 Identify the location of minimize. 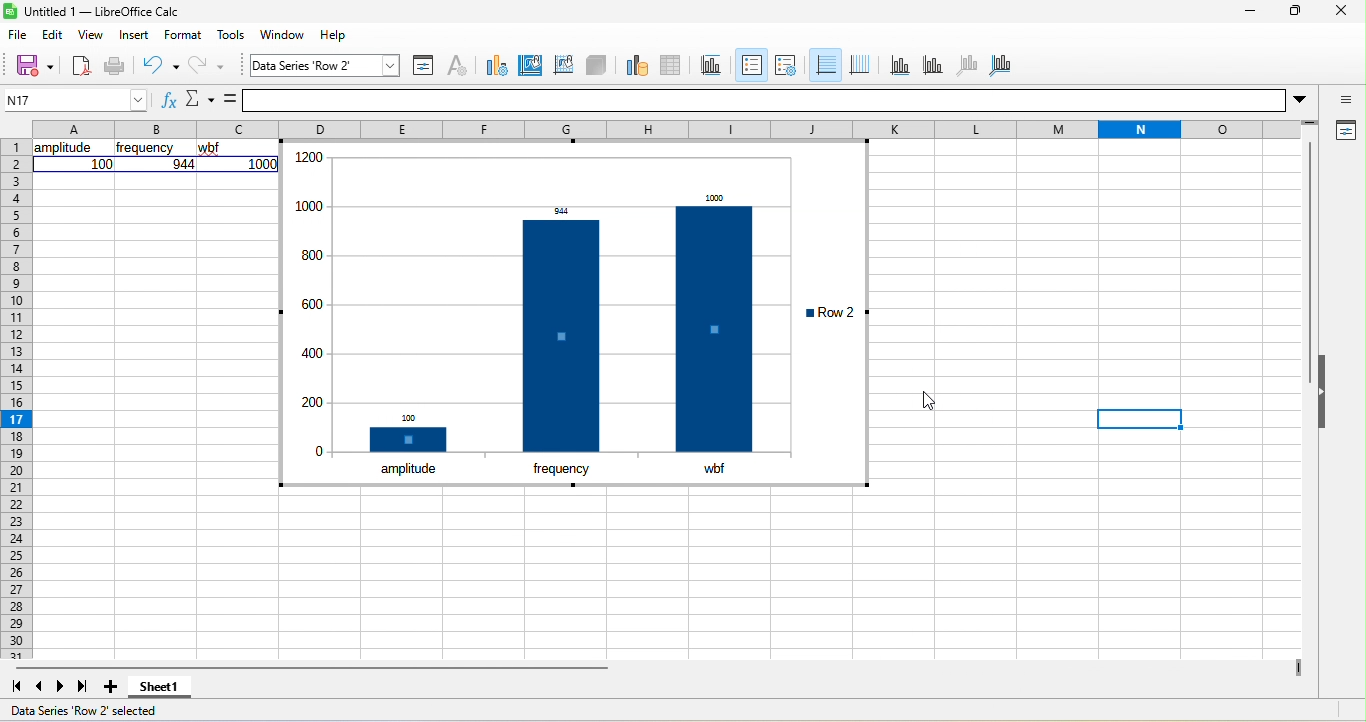
(1248, 10).